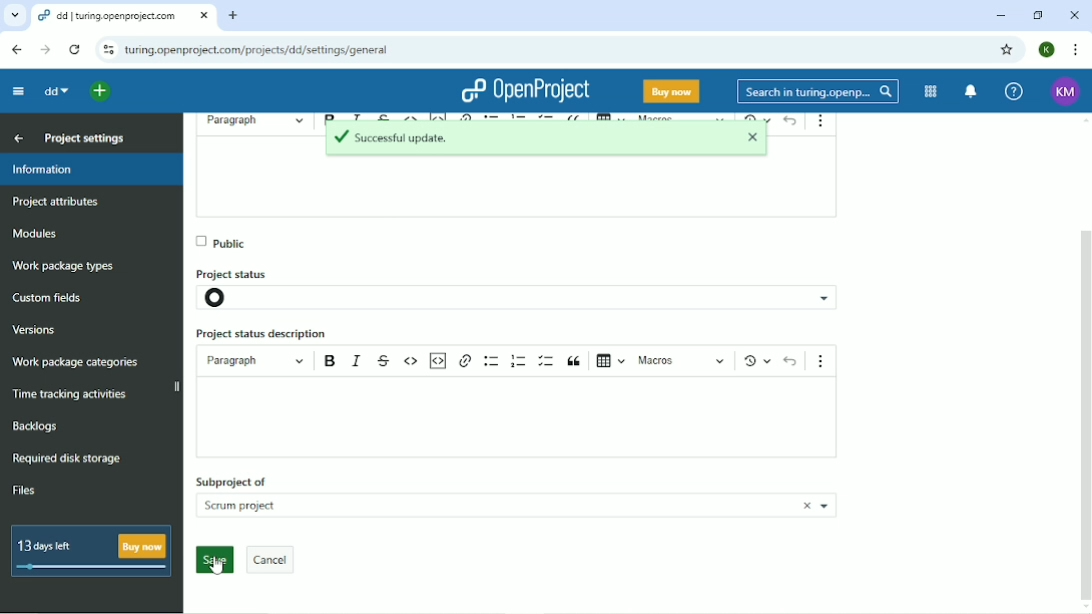 The width and height of the screenshot is (1092, 614). I want to click on Public, so click(221, 239).